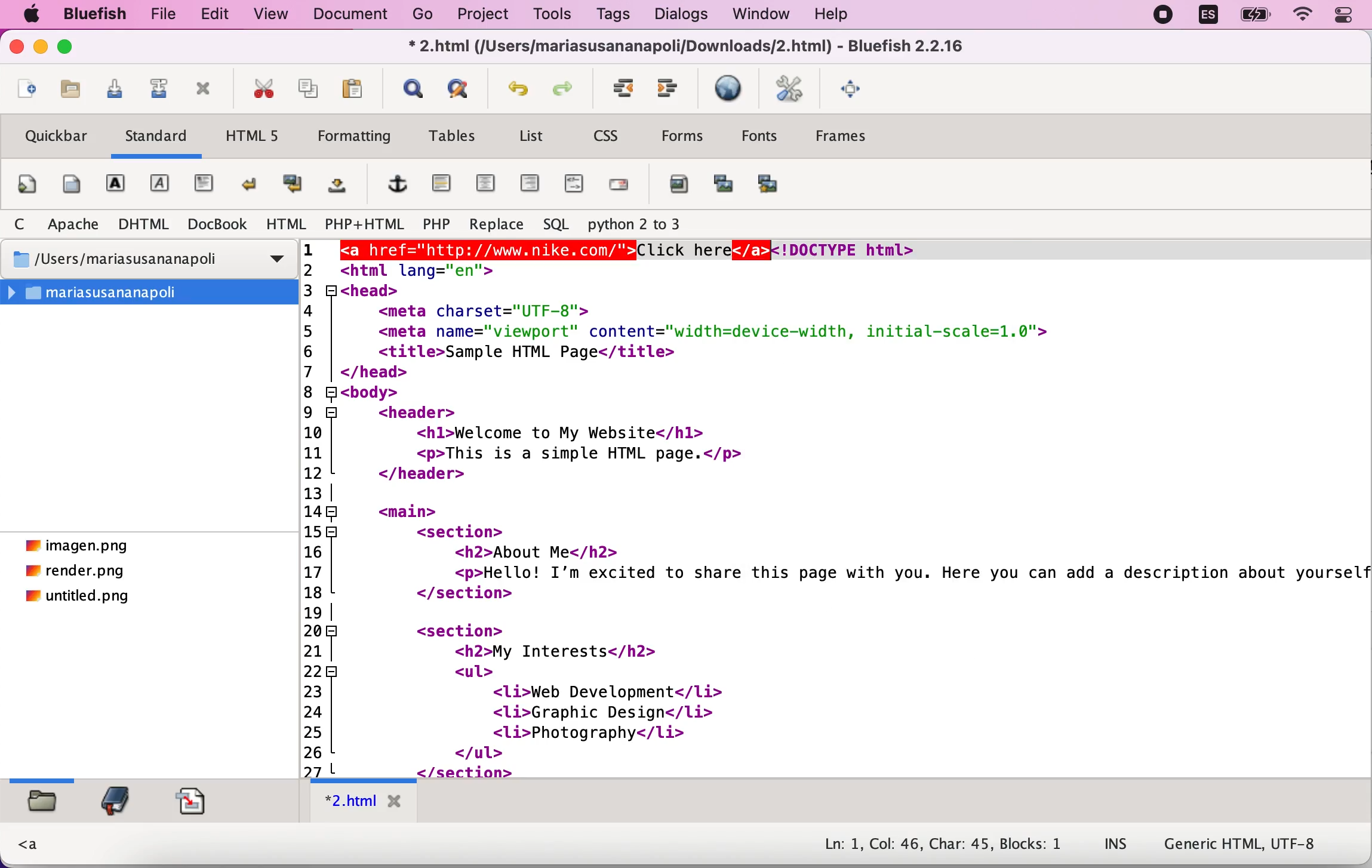 This screenshot has width=1372, height=868. Describe the element at coordinates (27, 89) in the screenshot. I see `new file` at that location.